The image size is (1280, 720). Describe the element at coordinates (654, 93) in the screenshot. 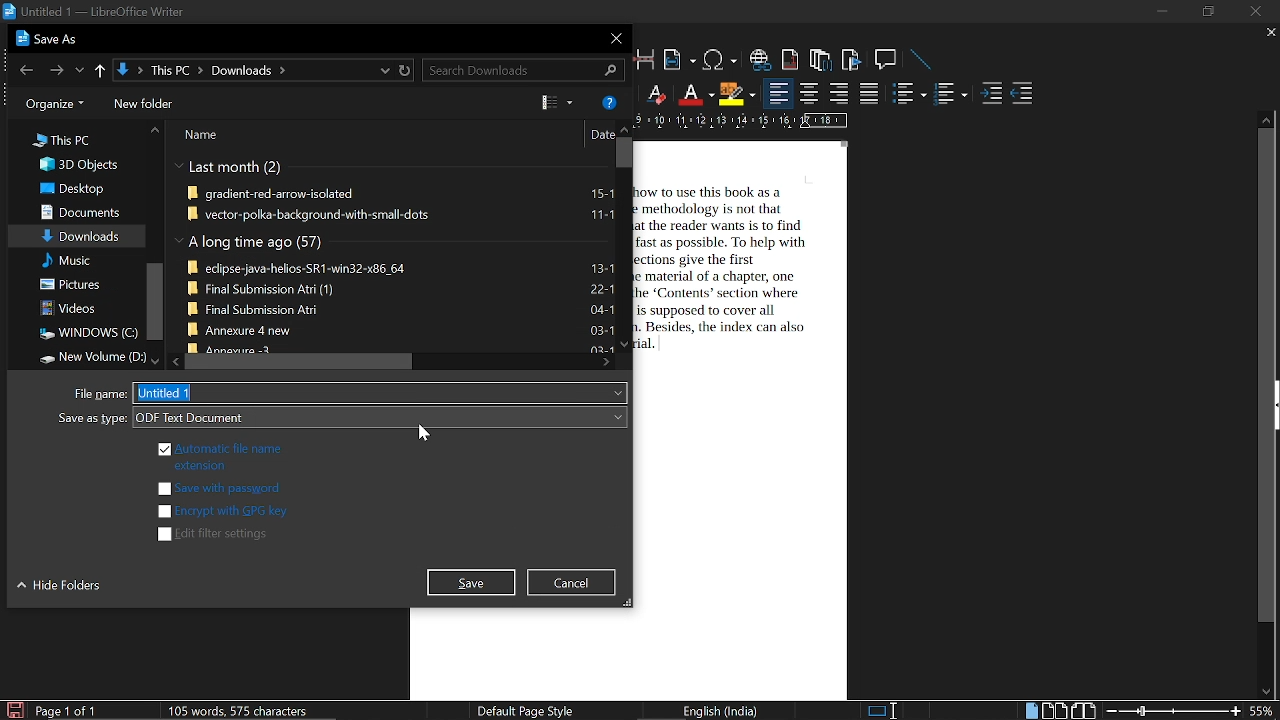

I see `eraser` at that location.